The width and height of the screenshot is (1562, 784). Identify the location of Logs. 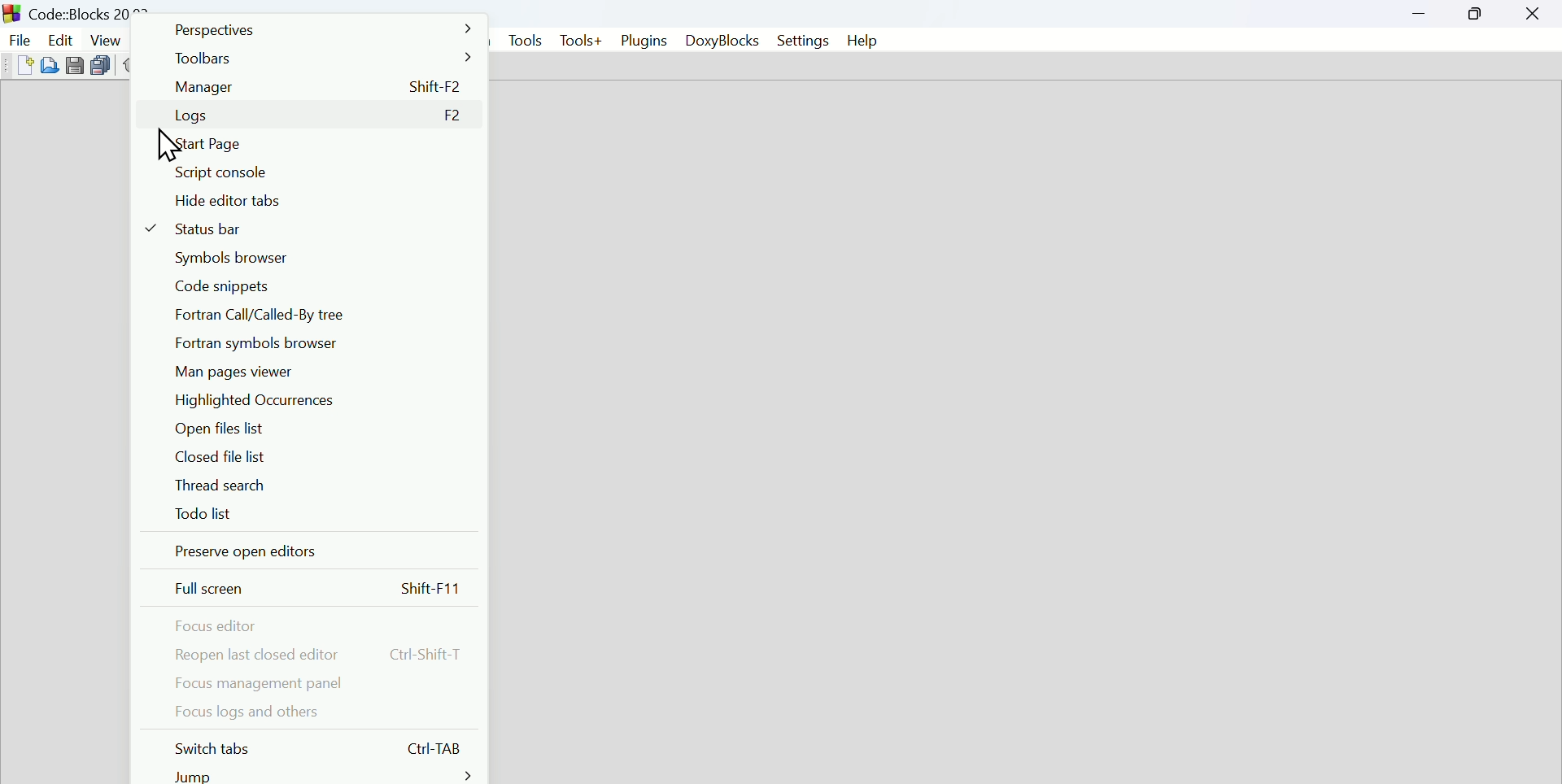
(320, 115).